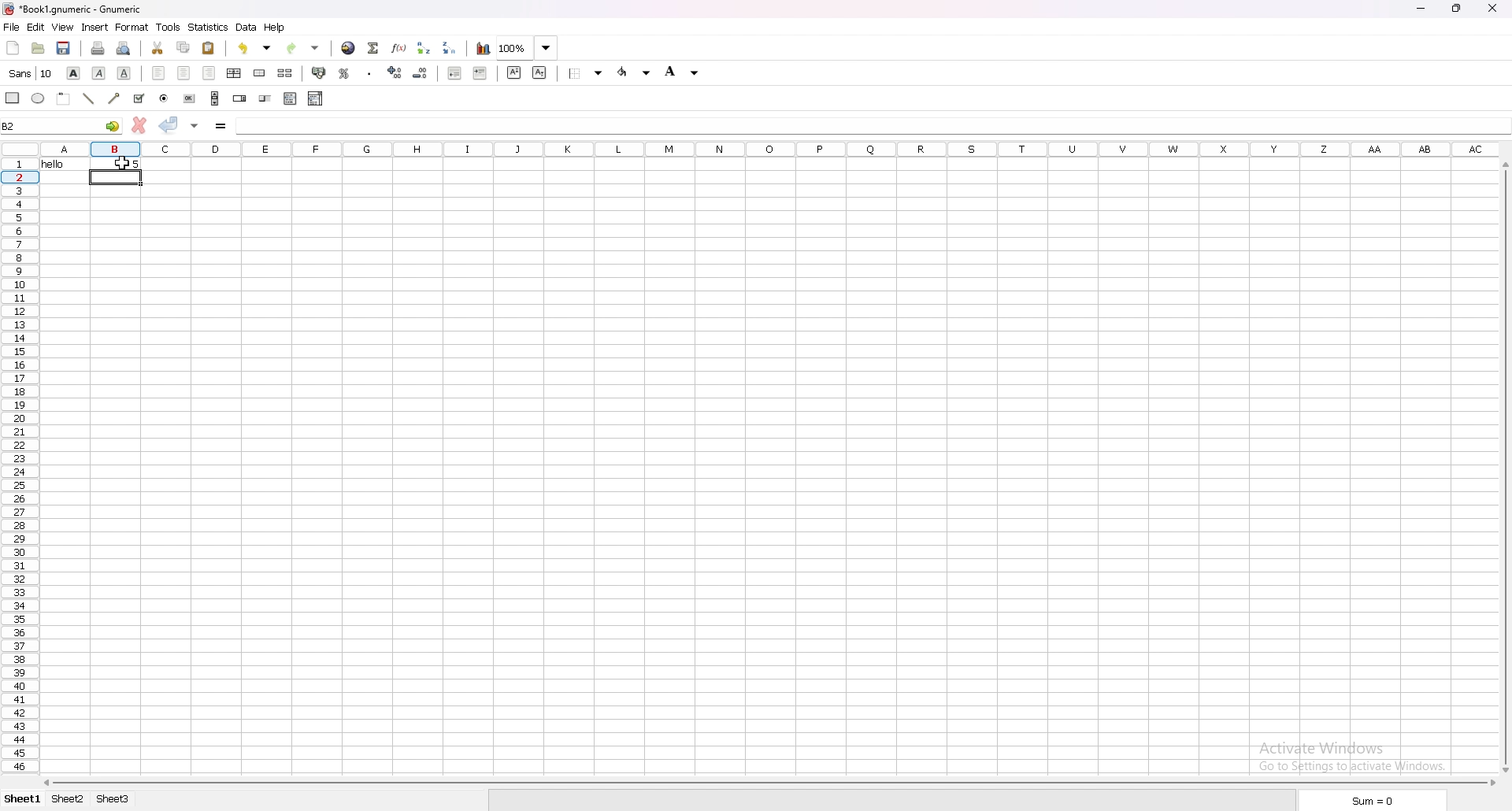 The height and width of the screenshot is (811, 1512). What do you see at coordinates (112, 799) in the screenshot?
I see `tab` at bounding box center [112, 799].